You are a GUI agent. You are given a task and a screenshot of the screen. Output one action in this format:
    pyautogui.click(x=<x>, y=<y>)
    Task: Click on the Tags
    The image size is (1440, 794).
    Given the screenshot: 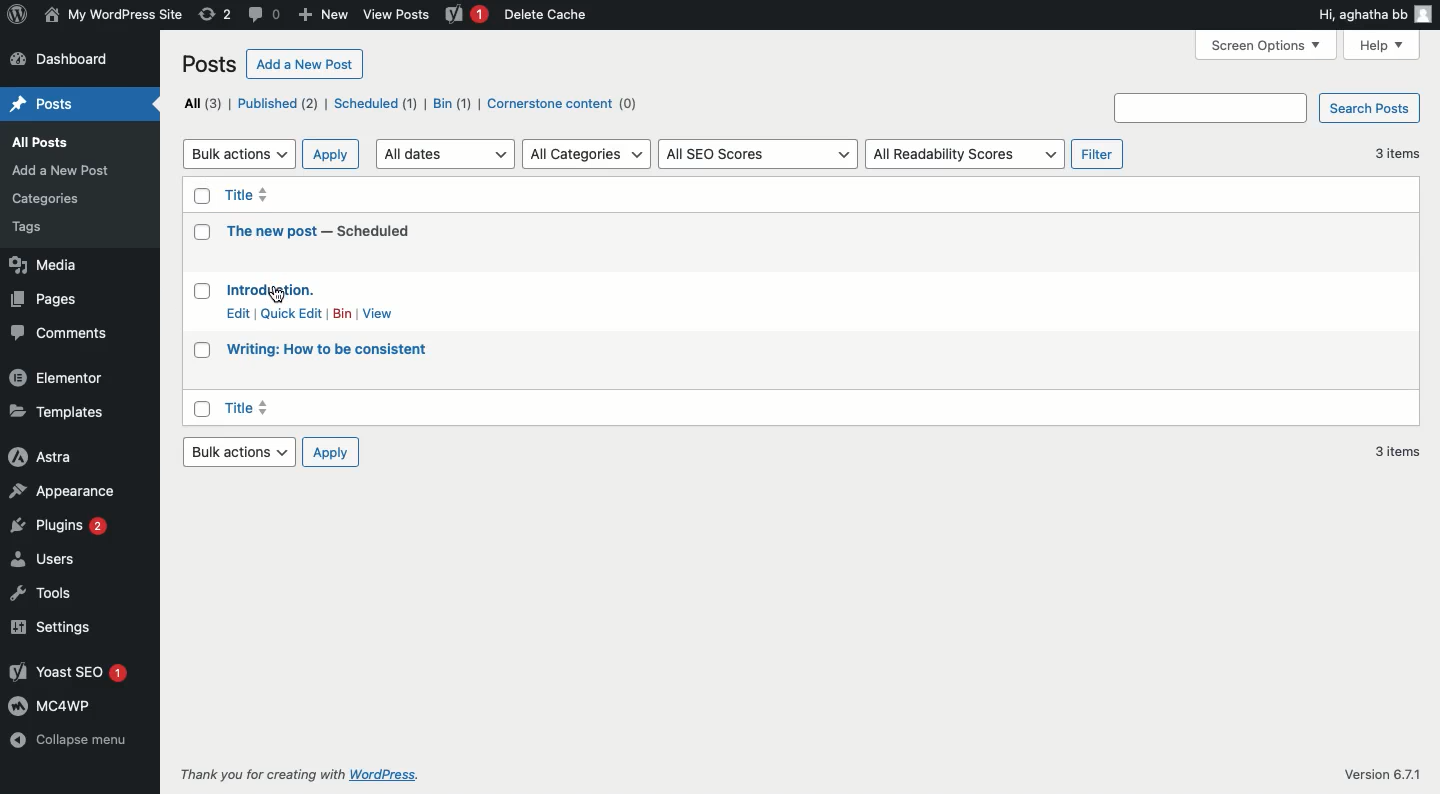 What is the action you would take?
    pyautogui.click(x=49, y=228)
    